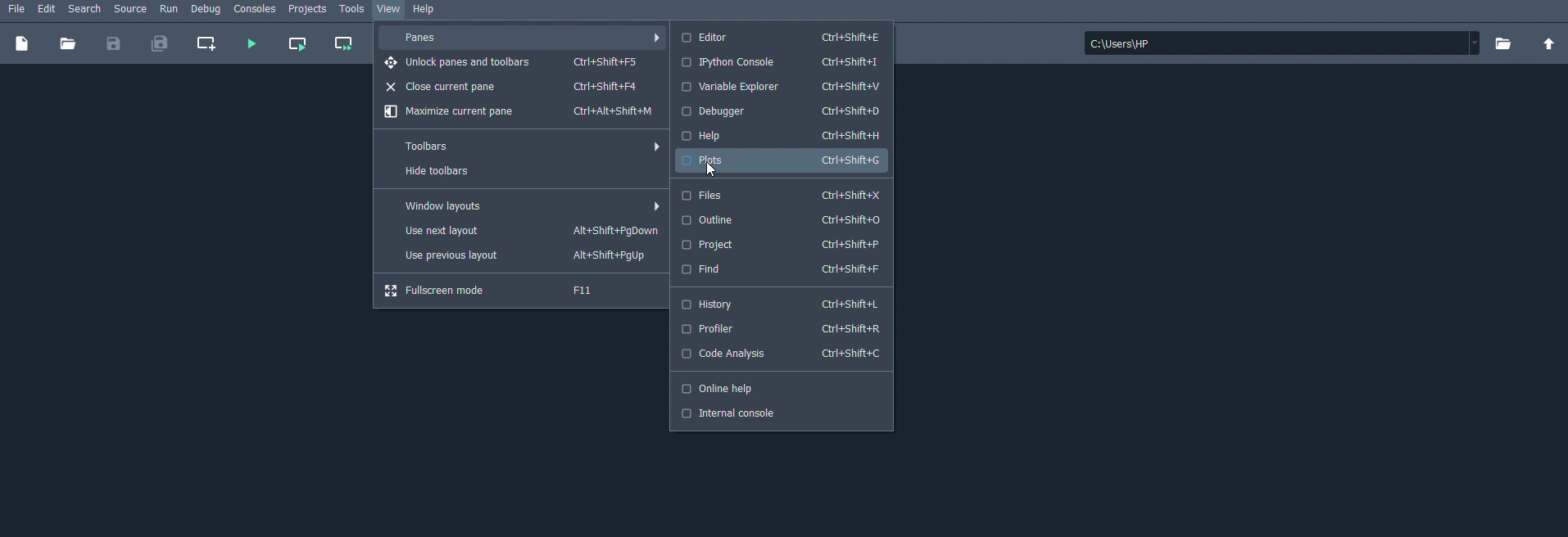 The image size is (1568, 537). I want to click on Hide toolbars, so click(456, 173).